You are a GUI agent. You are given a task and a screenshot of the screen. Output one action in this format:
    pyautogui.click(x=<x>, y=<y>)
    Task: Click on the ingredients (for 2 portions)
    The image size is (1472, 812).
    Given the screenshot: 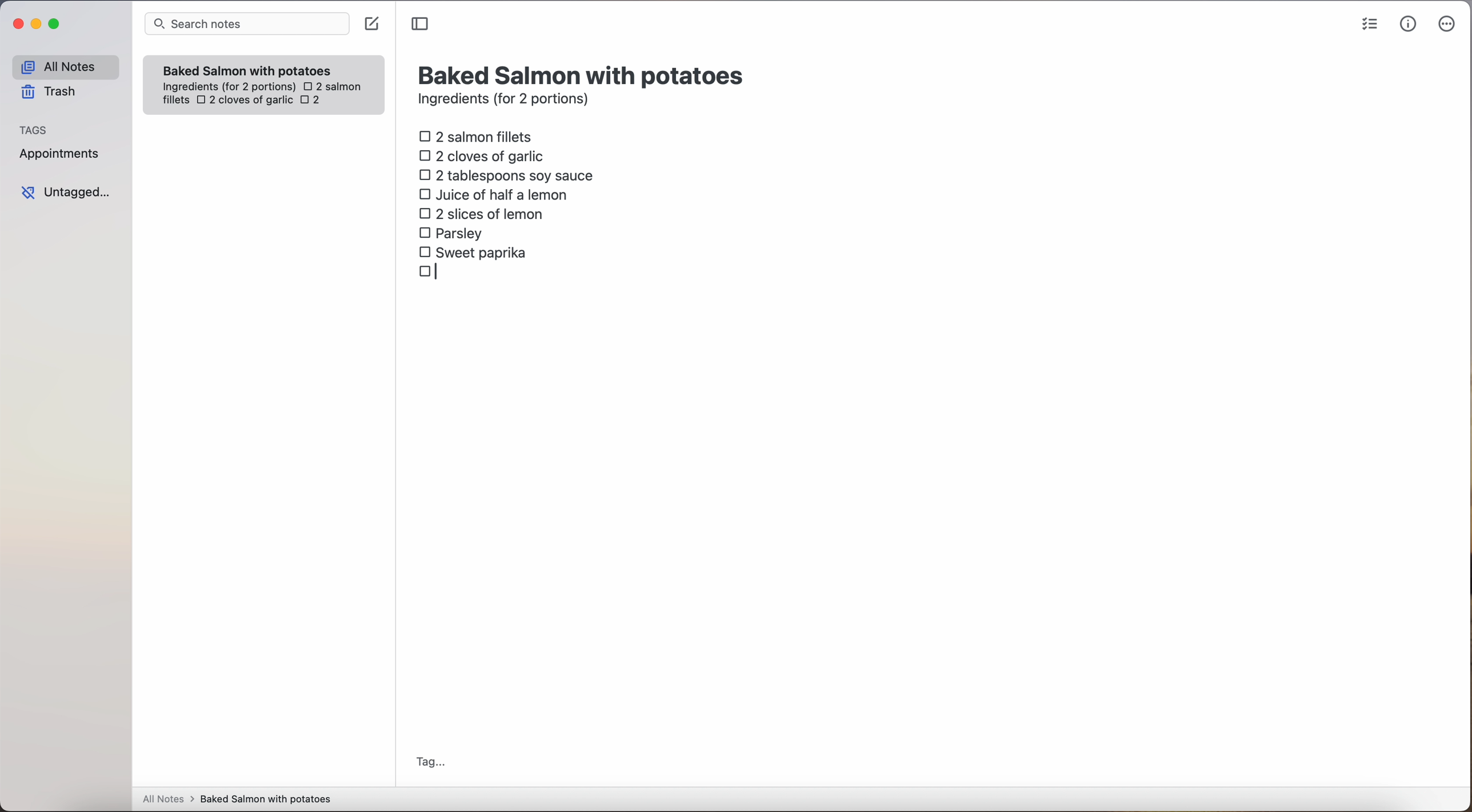 What is the action you would take?
    pyautogui.click(x=507, y=101)
    